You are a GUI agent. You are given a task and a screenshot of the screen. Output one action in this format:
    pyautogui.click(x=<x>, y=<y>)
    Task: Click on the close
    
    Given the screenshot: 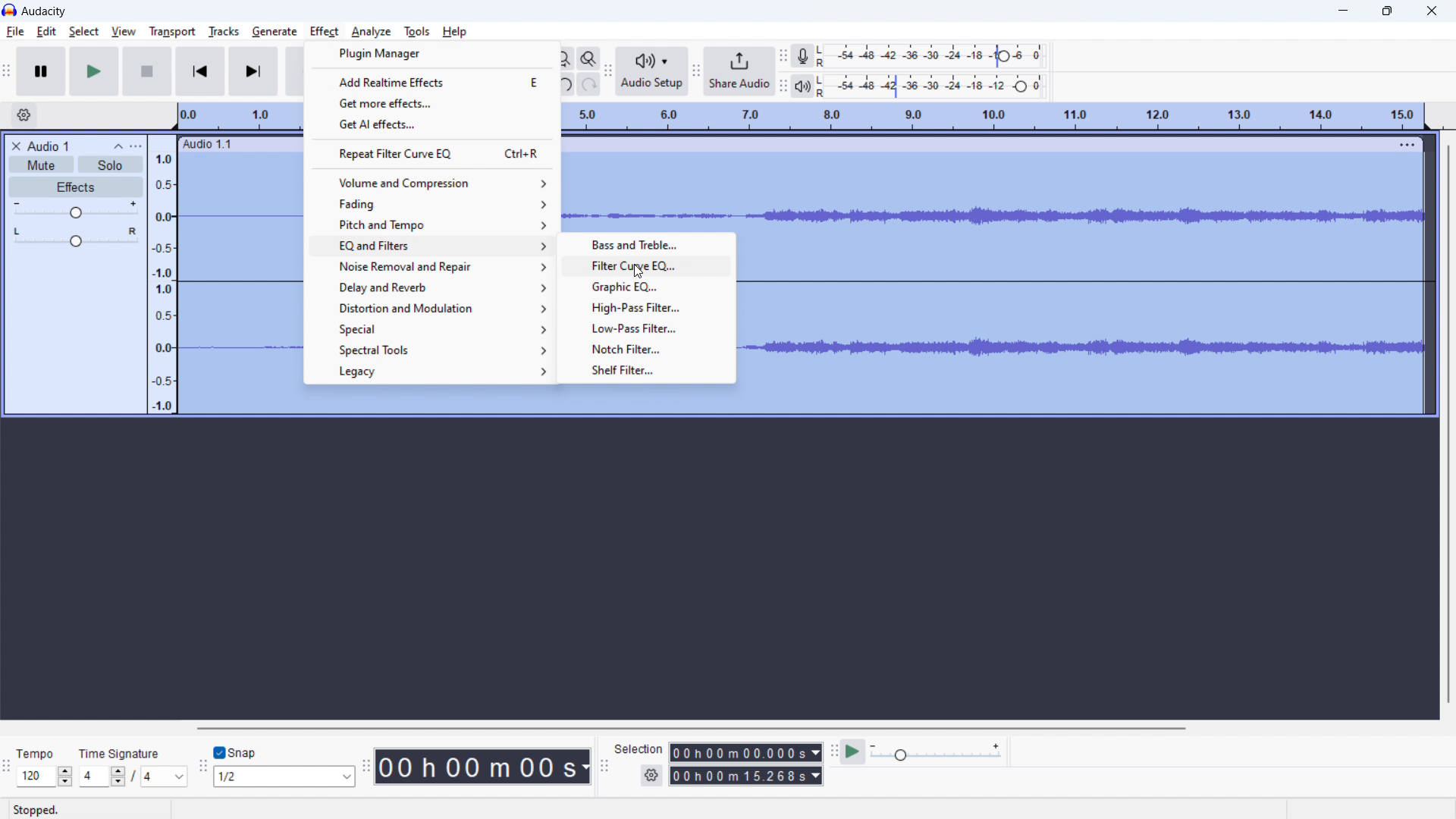 What is the action you would take?
    pyautogui.click(x=1432, y=10)
    